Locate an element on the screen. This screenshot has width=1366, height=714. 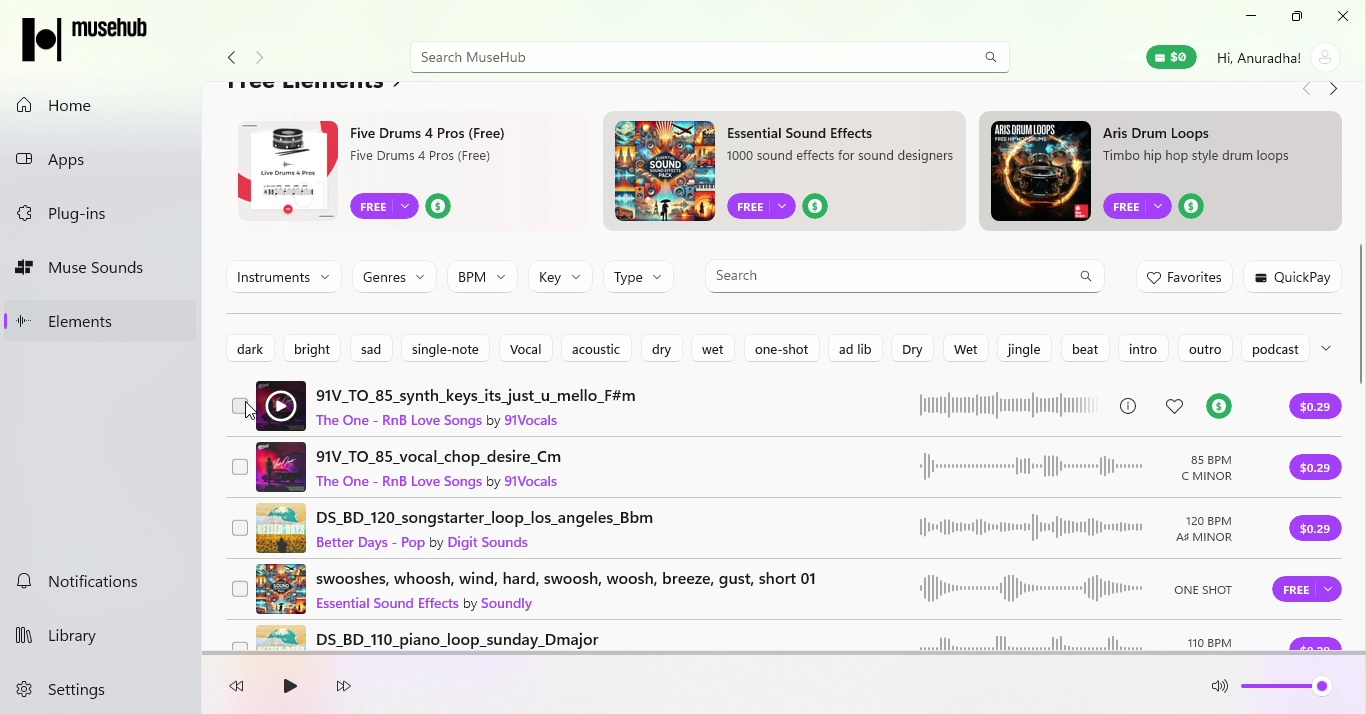
Settings is located at coordinates (76, 691).